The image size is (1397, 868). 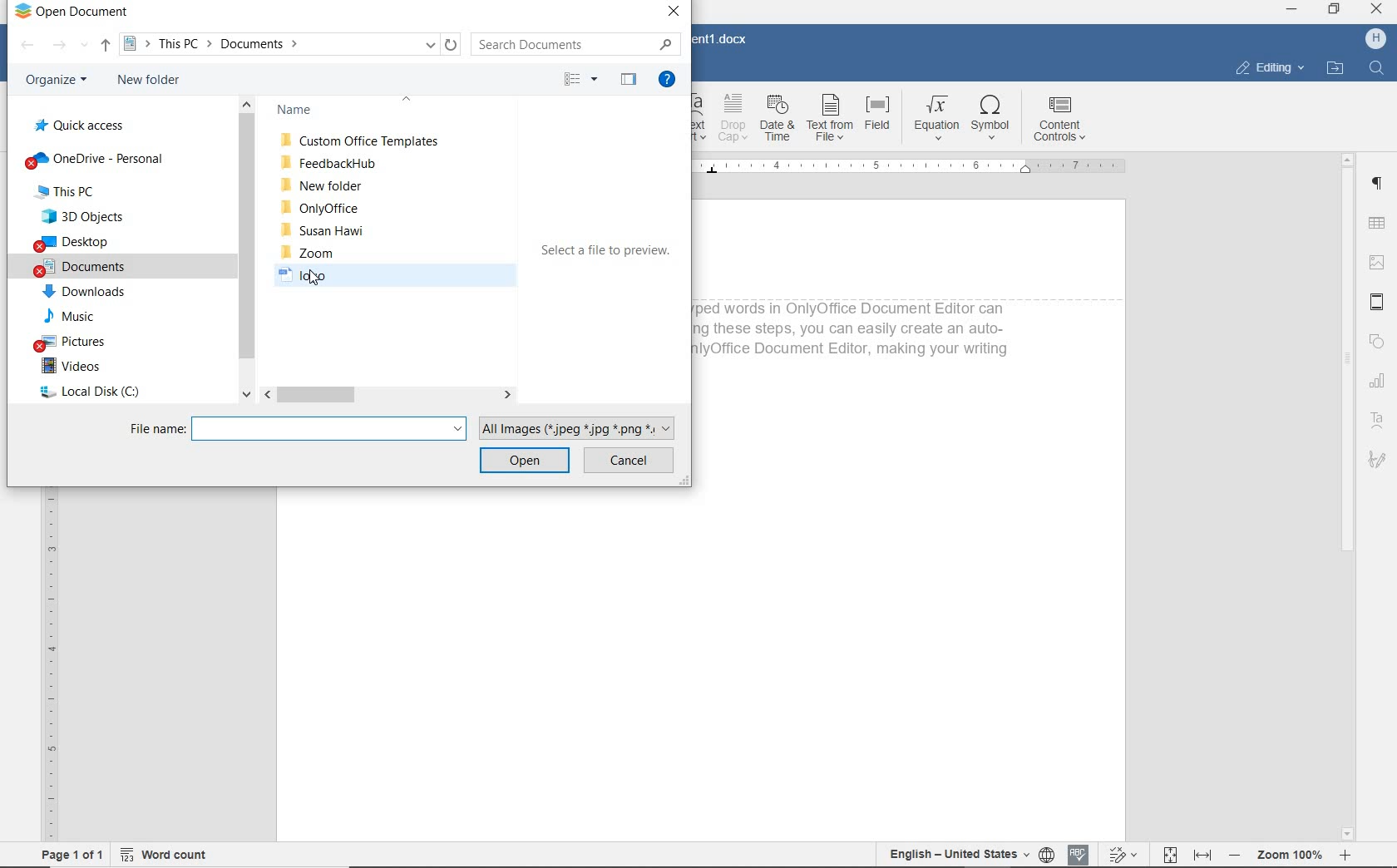 What do you see at coordinates (84, 125) in the screenshot?
I see `QUICK ACCESS` at bounding box center [84, 125].